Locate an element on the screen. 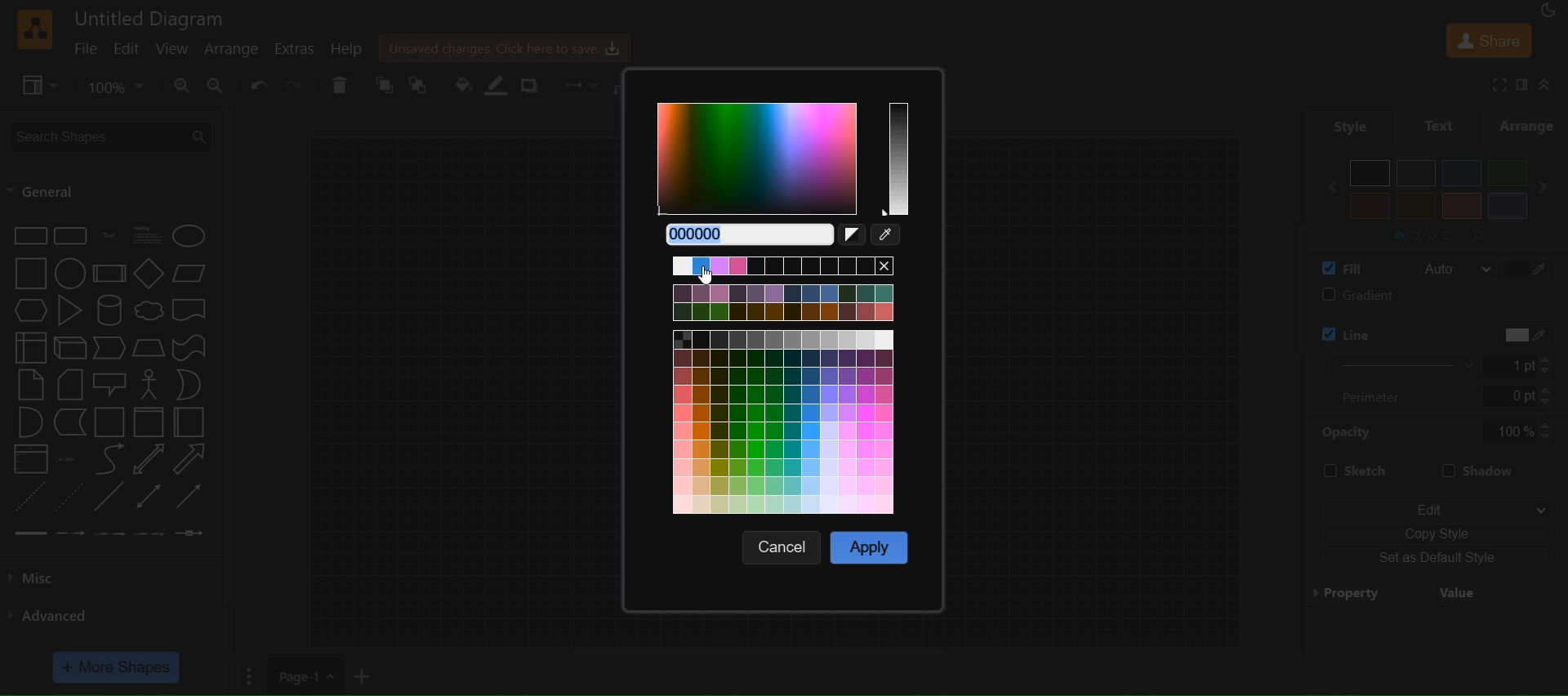 This screenshot has height=696, width=1568. horizontal scroll bar is located at coordinates (760, 651).